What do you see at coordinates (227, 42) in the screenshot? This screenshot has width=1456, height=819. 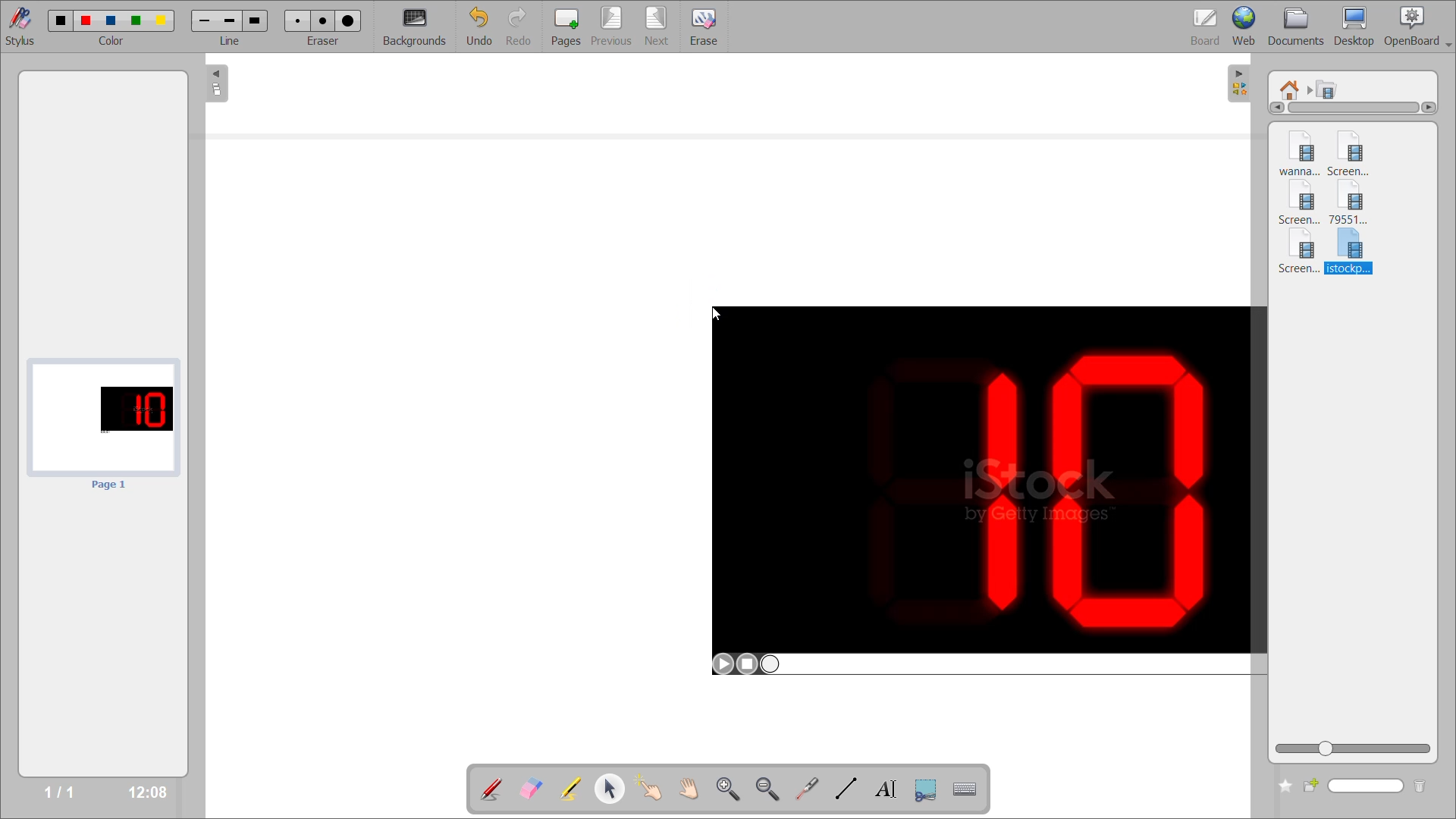 I see `Line` at bounding box center [227, 42].